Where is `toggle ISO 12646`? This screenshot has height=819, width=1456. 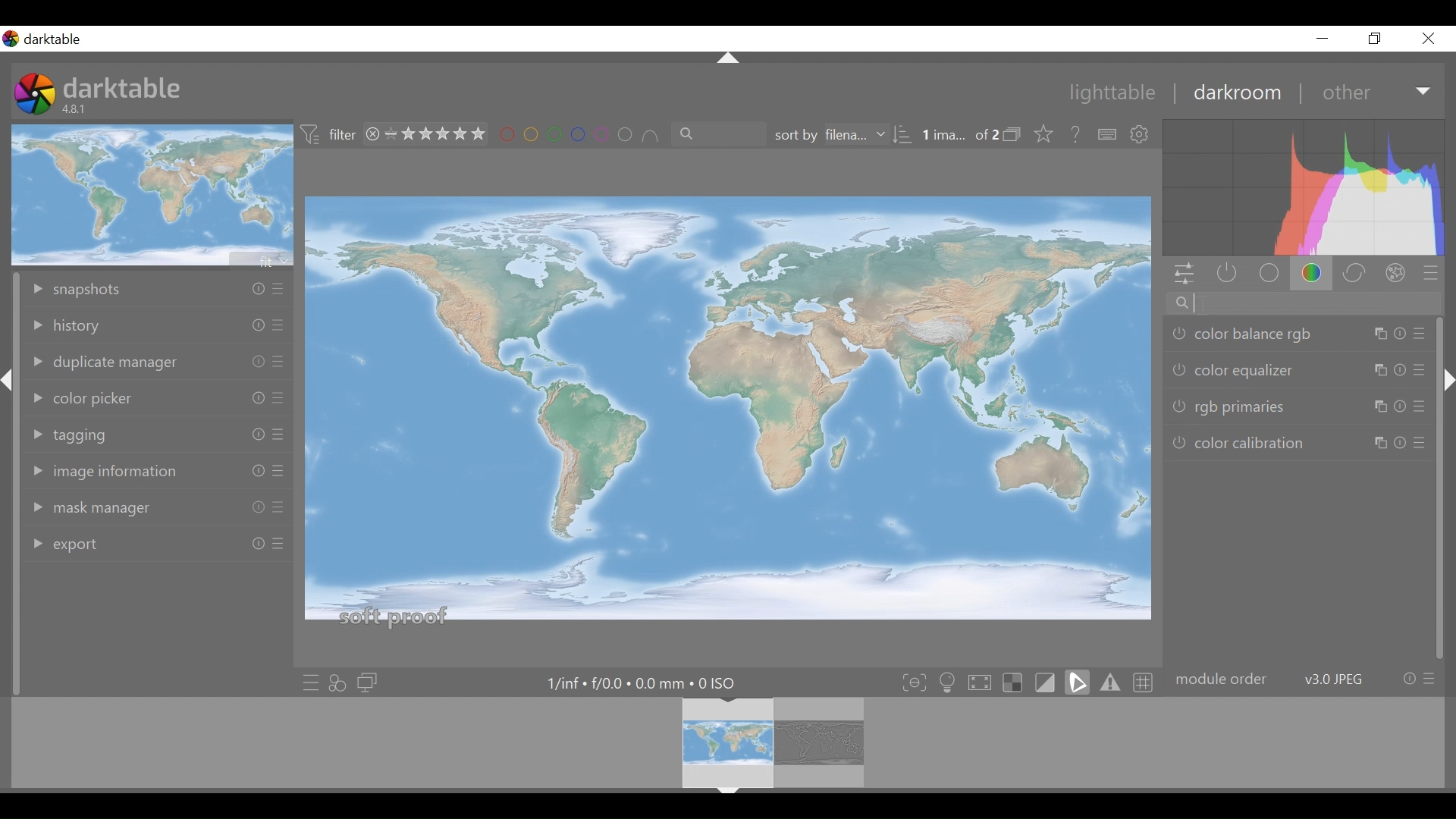 toggle ISO 12646 is located at coordinates (948, 680).